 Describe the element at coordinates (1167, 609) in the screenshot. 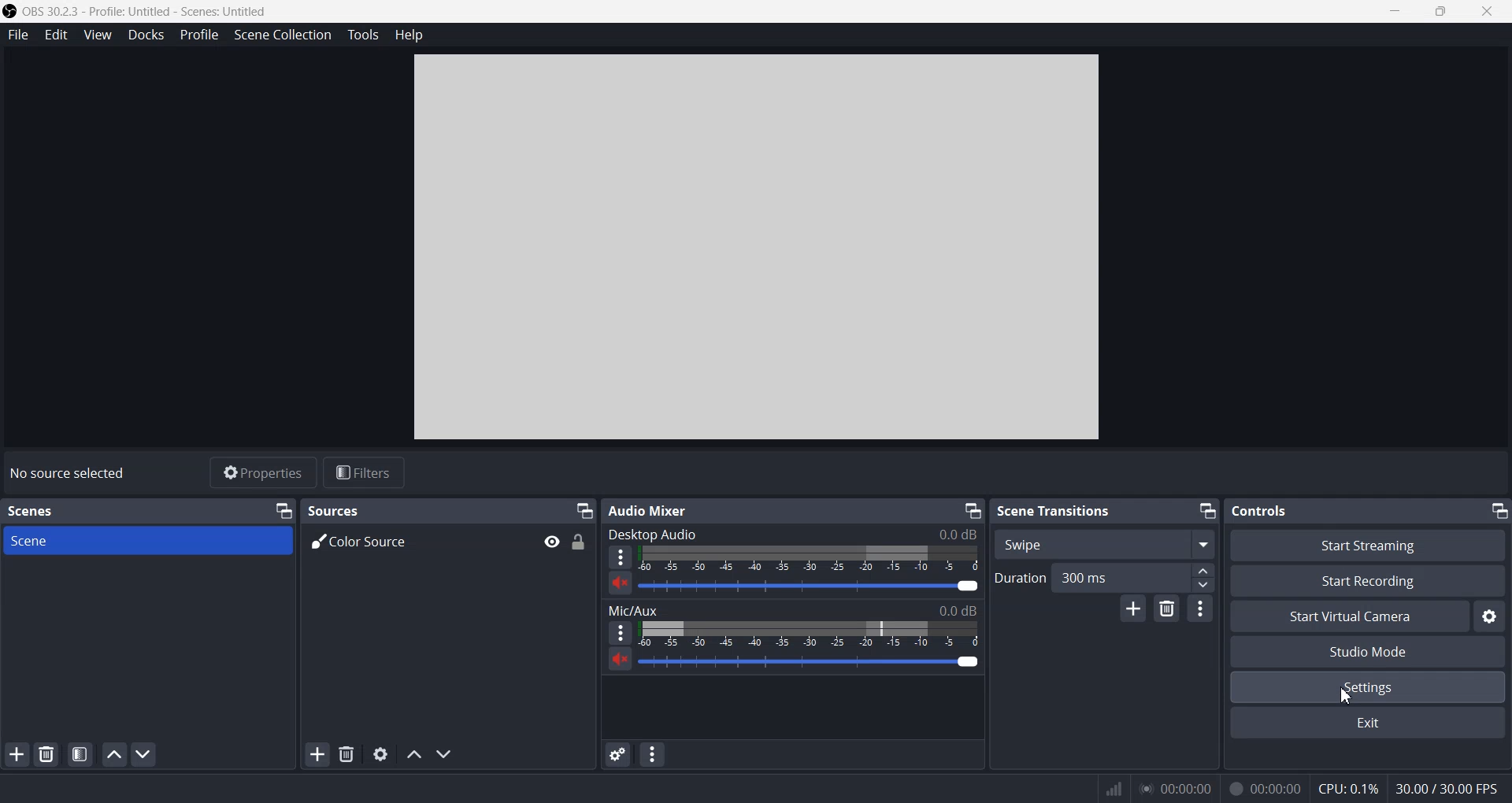

I see `Remove Configurable Transition` at that location.